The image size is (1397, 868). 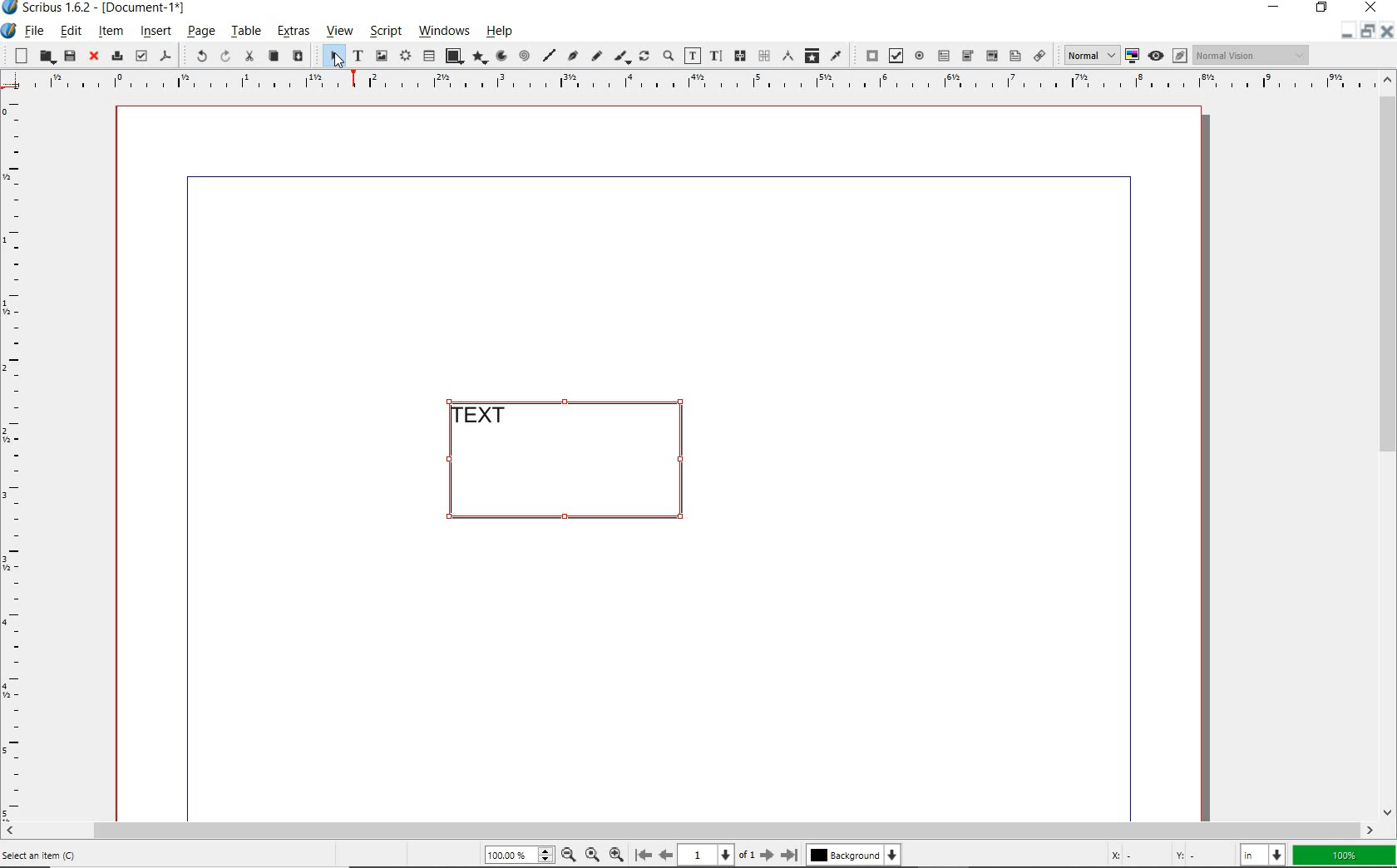 What do you see at coordinates (1263, 856) in the screenshot?
I see `select unit: in` at bounding box center [1263, 856].